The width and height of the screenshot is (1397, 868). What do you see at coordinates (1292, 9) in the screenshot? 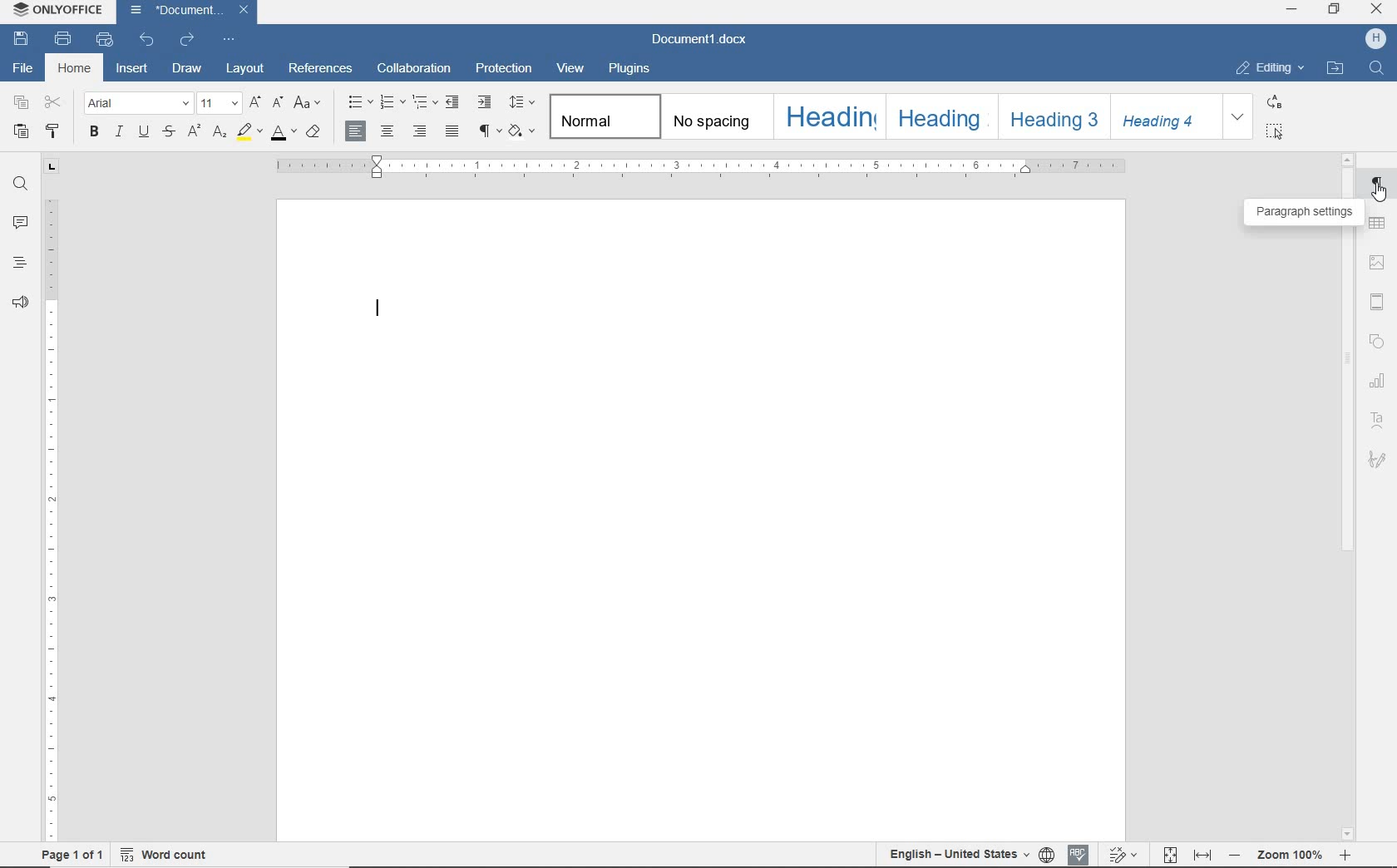
I see `MINIMIZE` at bounding box center [1292, 9].